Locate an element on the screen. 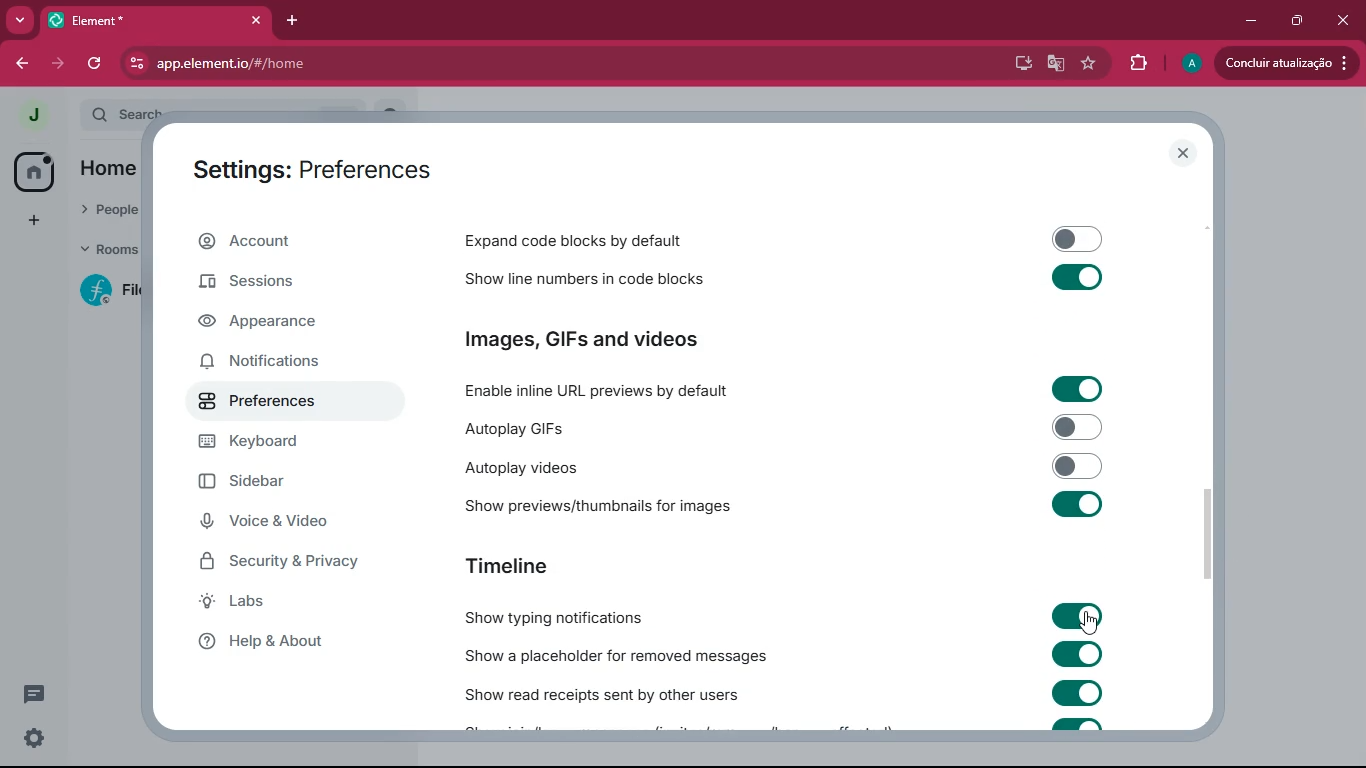  show read receipts sent by other users is located at coordinates (603, 691).